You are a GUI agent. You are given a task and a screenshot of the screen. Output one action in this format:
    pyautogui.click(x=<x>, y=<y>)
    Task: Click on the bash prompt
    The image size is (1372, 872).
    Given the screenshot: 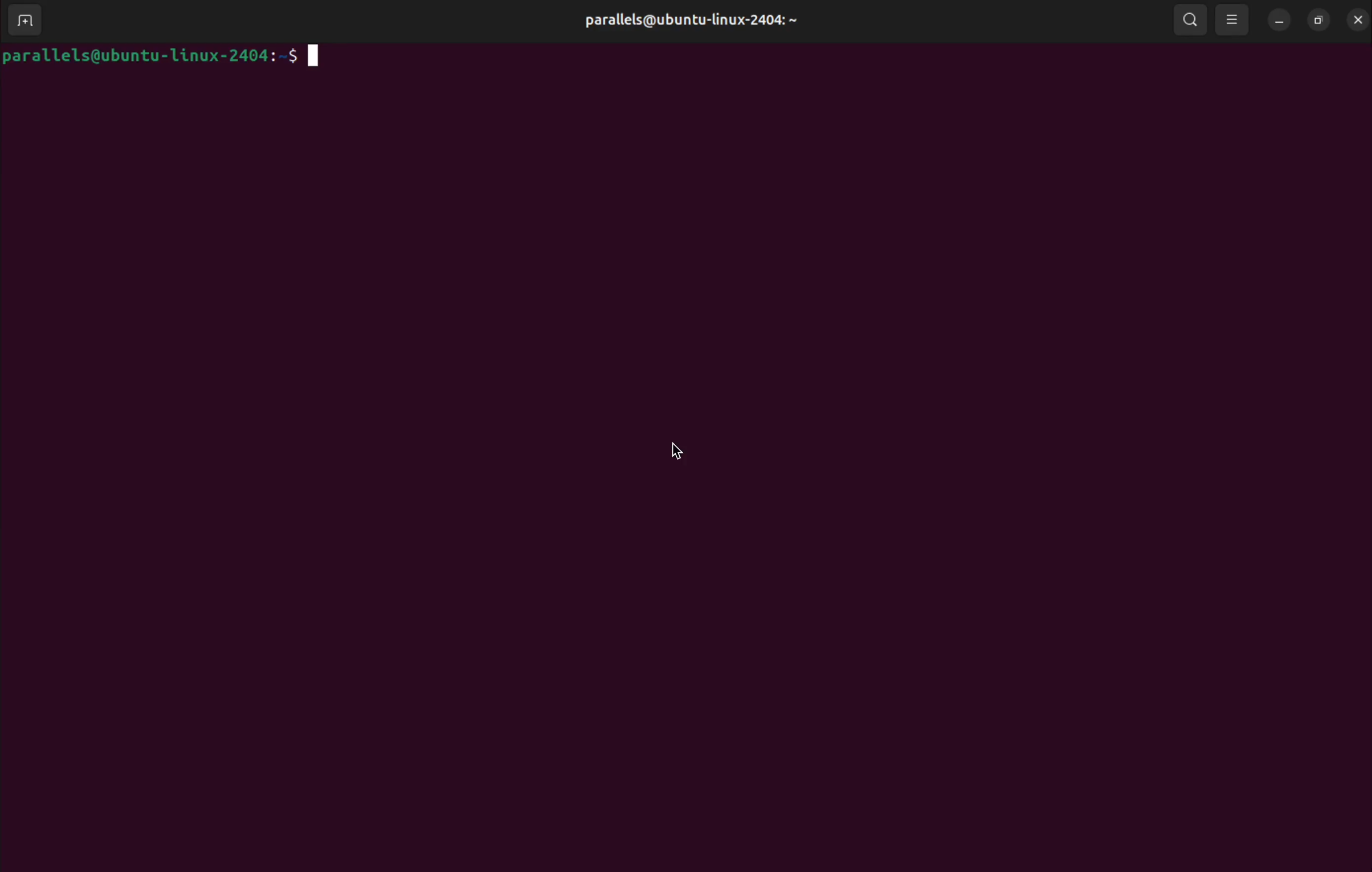 What is the action you would take?
    pyautogui.click(x=165, y=57)
    